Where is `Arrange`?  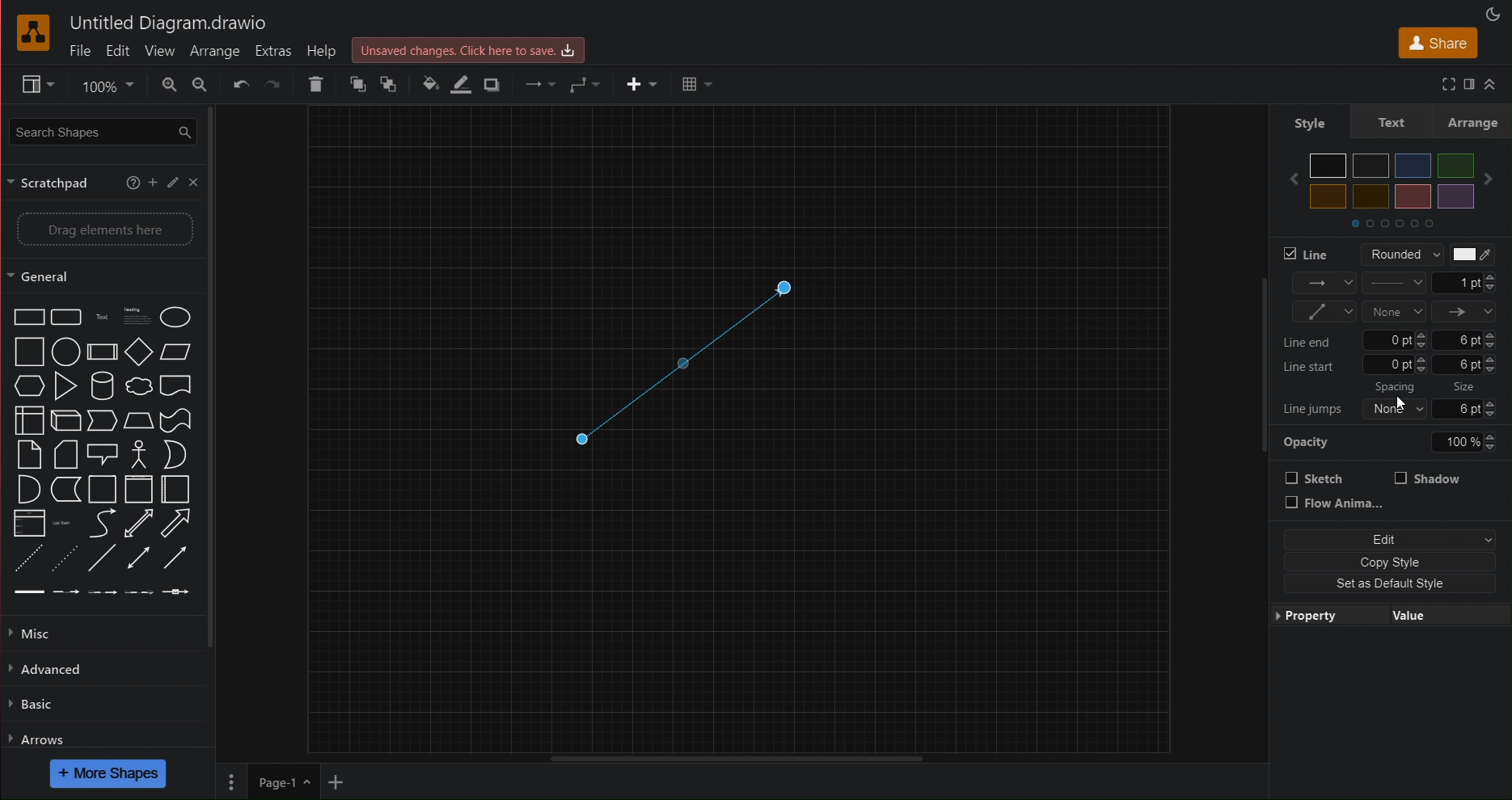 Arrange is located at coordinates (1473, 122).